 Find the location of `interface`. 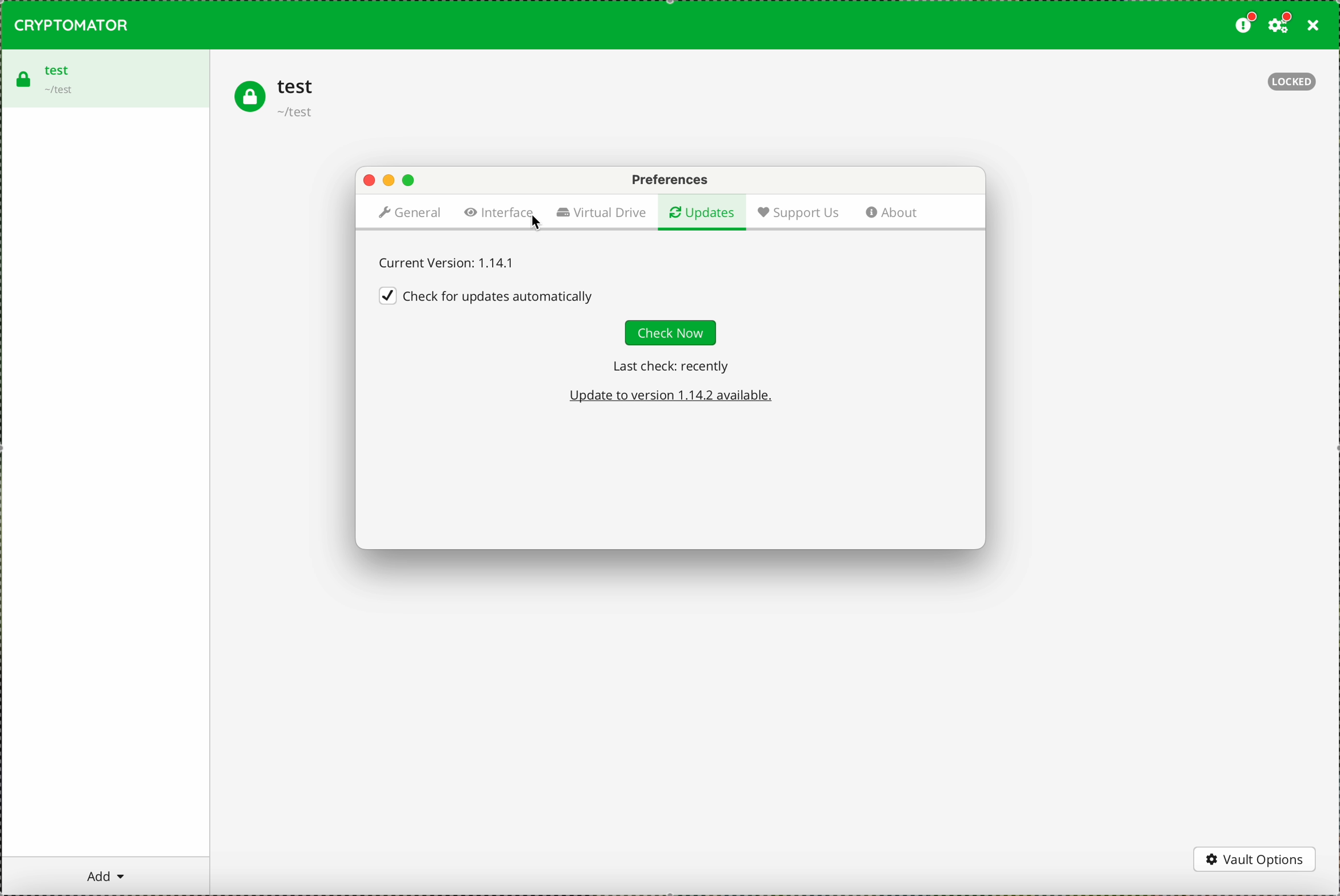

interface is located at coordinates (500, 214).